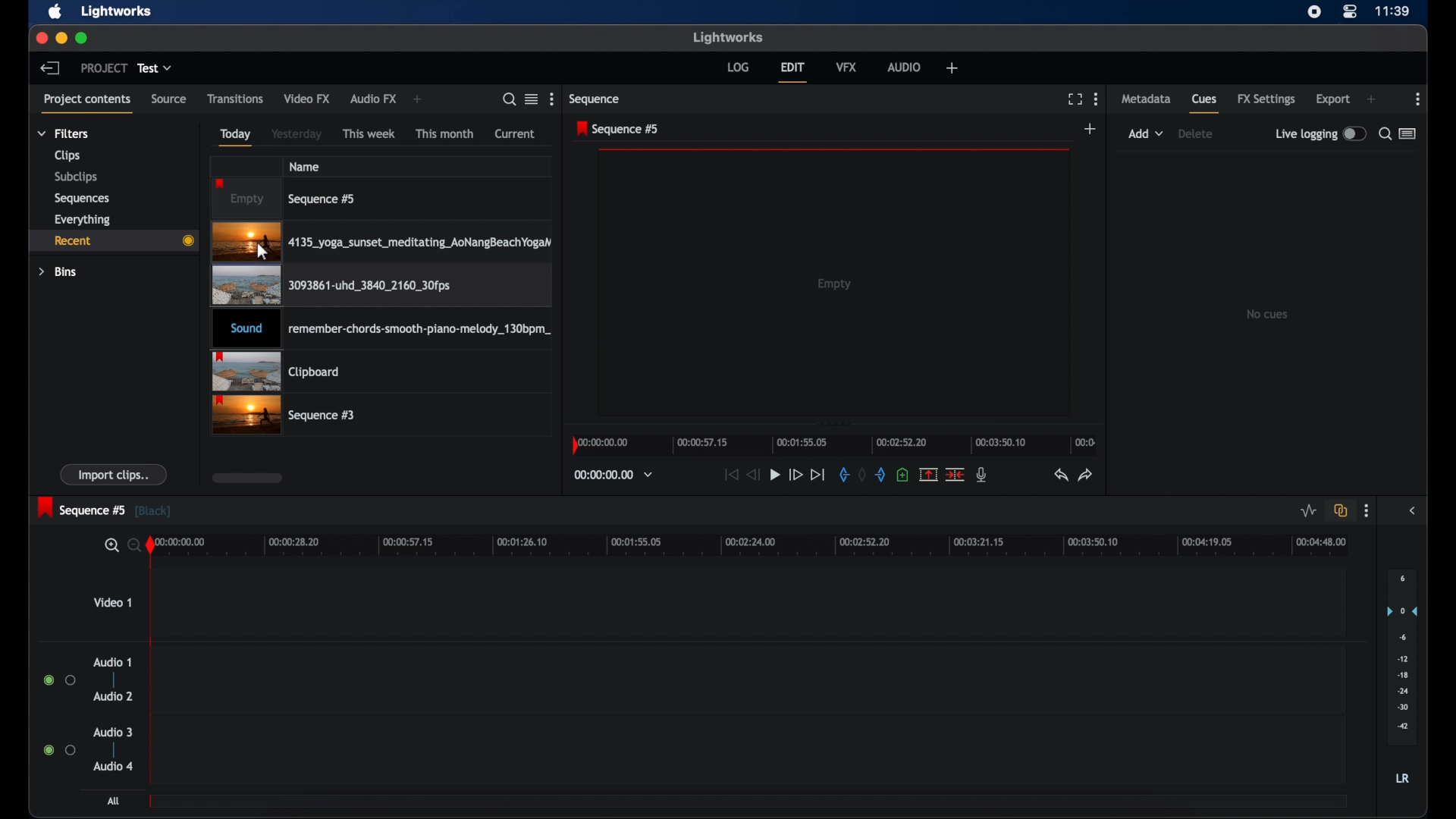 The image size is (1456, 819). Describe the element at coordinates (67, 155) in the screenshot. I see `clips` at that location.